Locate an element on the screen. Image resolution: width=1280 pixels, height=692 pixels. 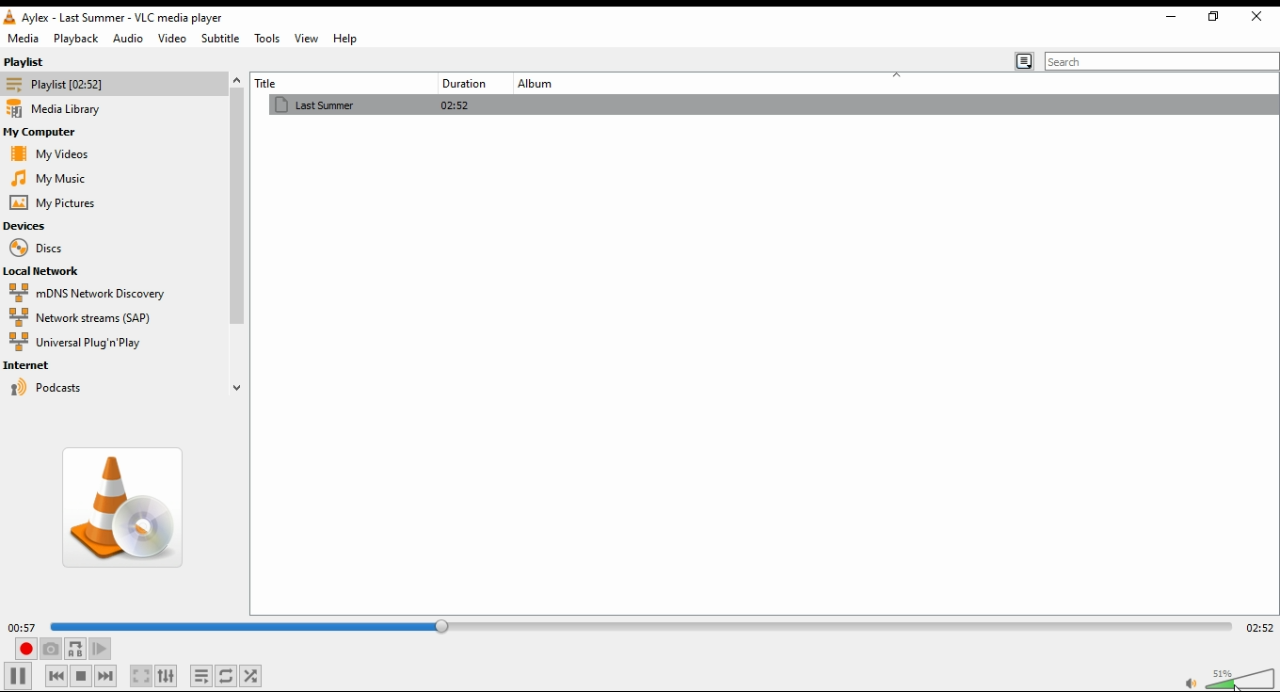
audio is located at coordinates (127, 38).